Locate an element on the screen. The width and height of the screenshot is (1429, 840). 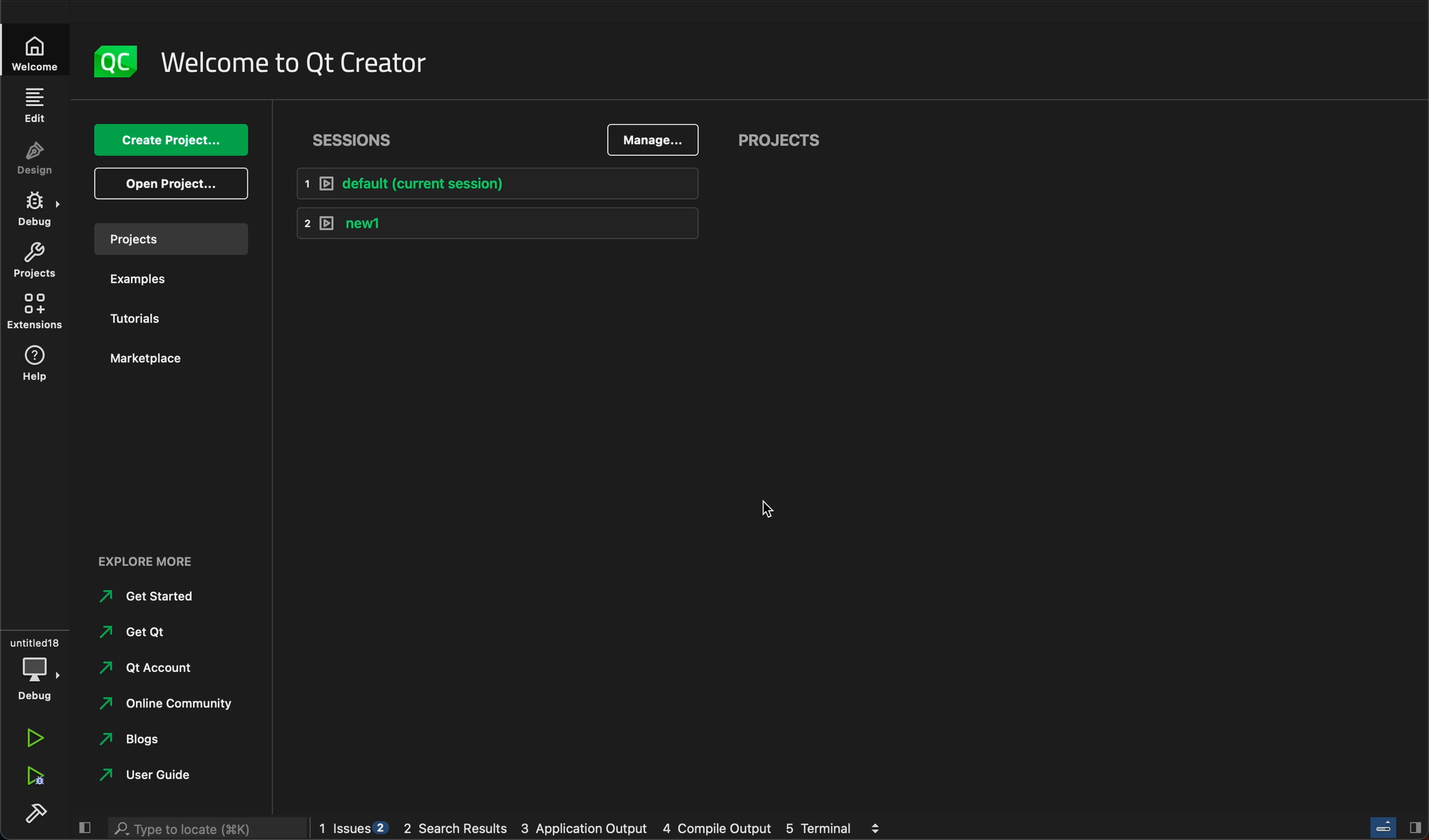
open is located at coordinates (172, 184).